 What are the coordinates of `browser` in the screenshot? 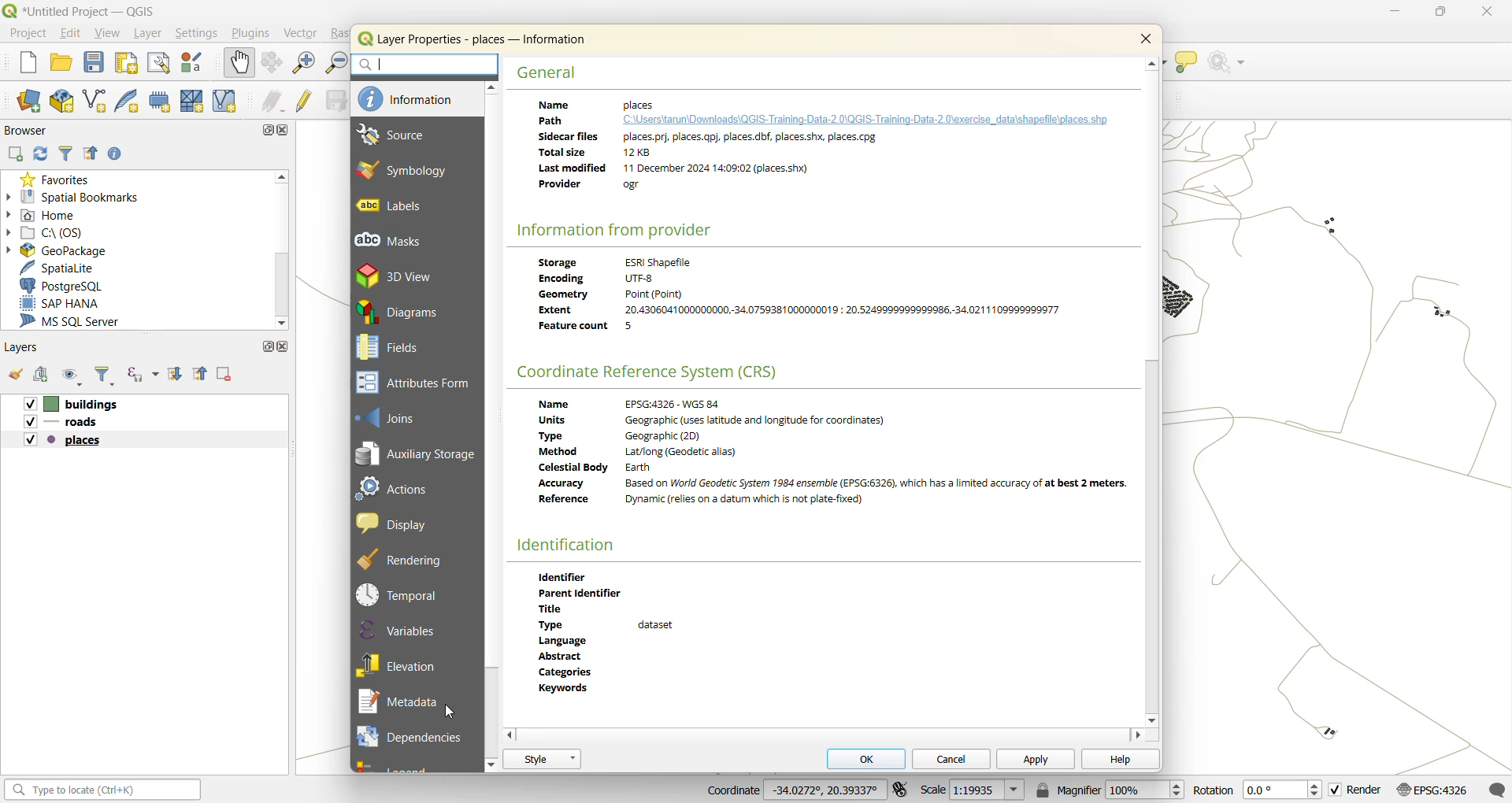 It's located at (23, 130).